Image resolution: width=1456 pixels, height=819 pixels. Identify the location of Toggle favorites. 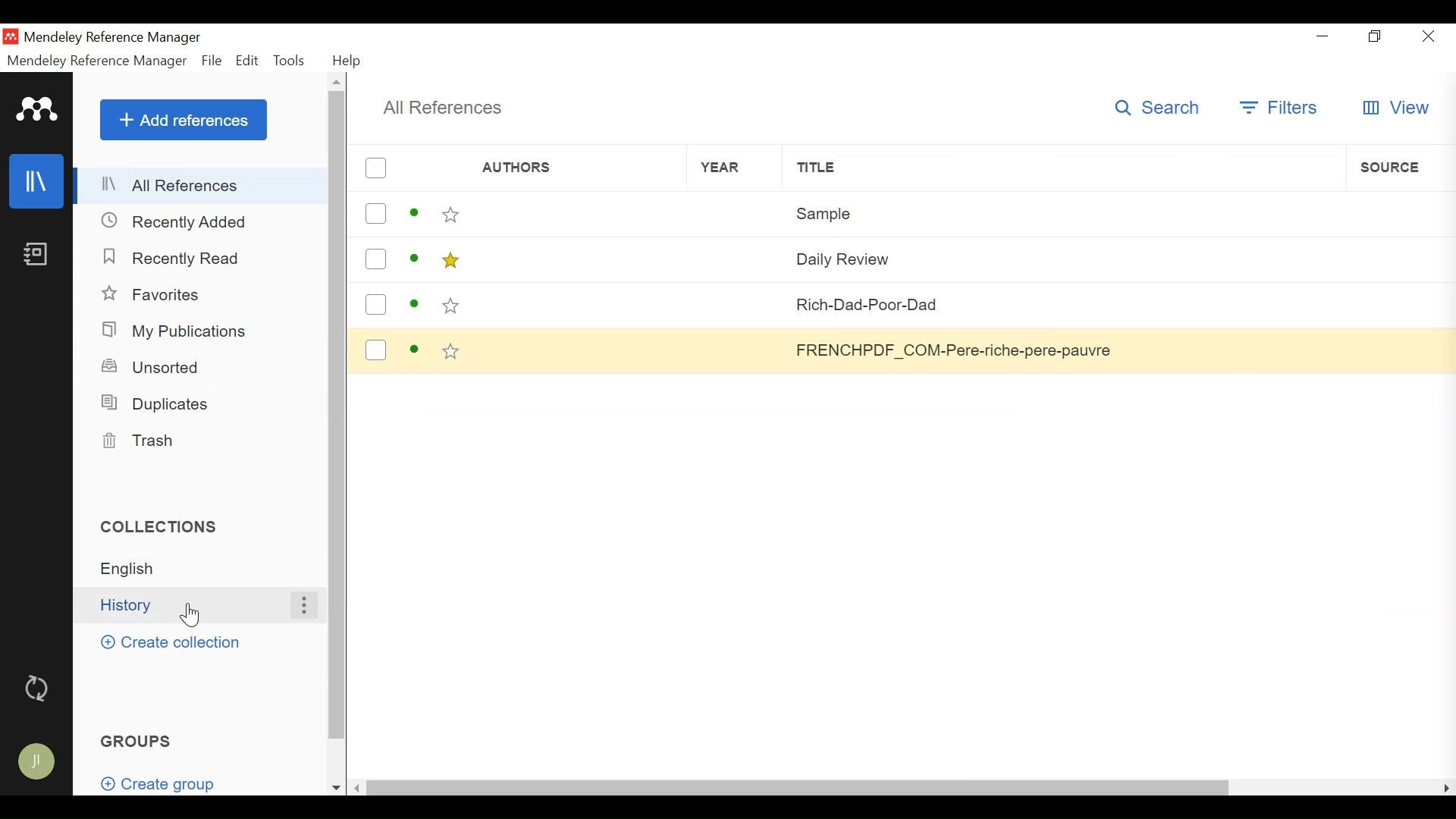
(449, 261).